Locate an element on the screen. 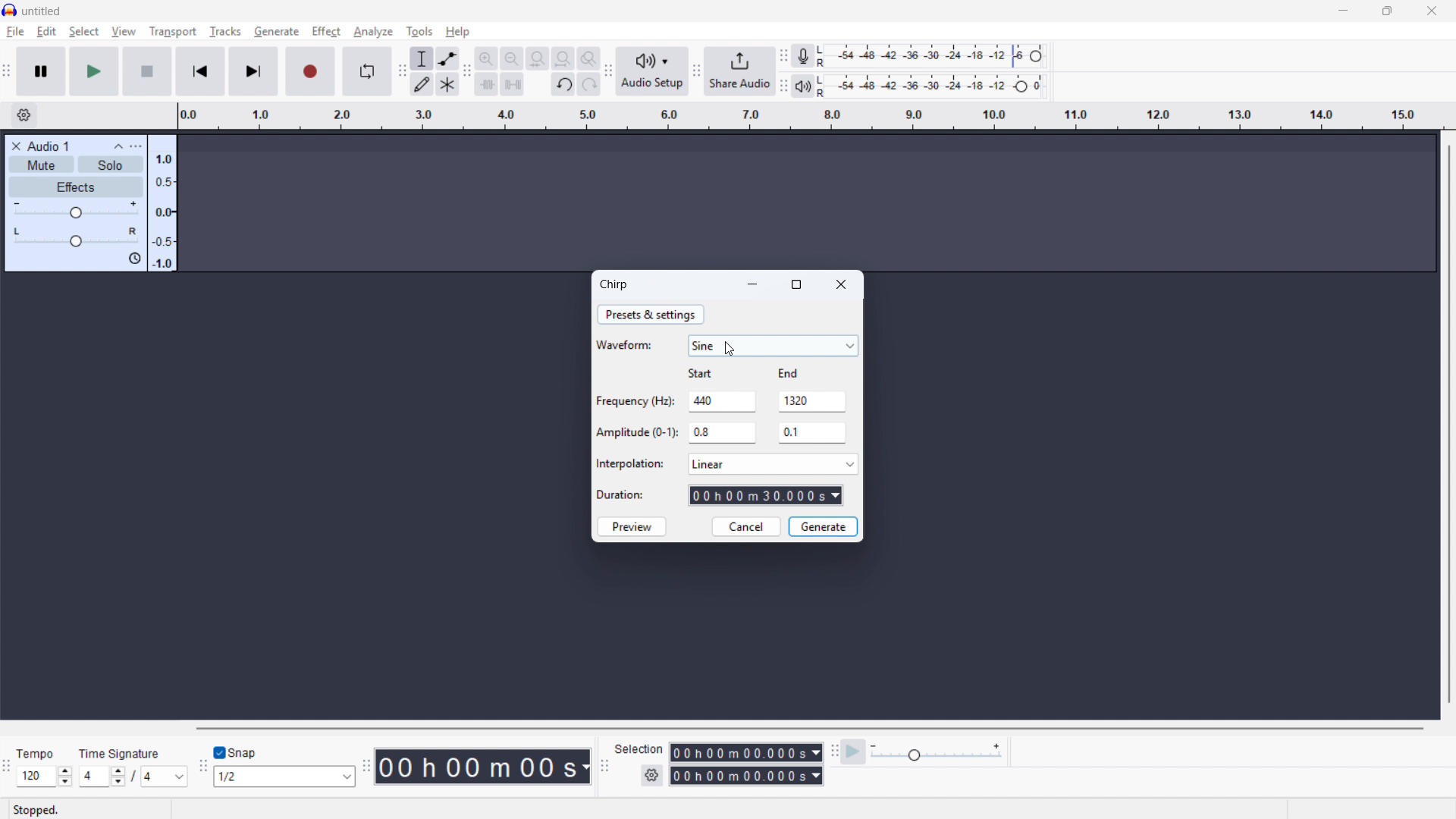 Image resolution: width=1456 pixels, height=819 pixels. Frequency (Hz) is located at coordinates (635, 400).